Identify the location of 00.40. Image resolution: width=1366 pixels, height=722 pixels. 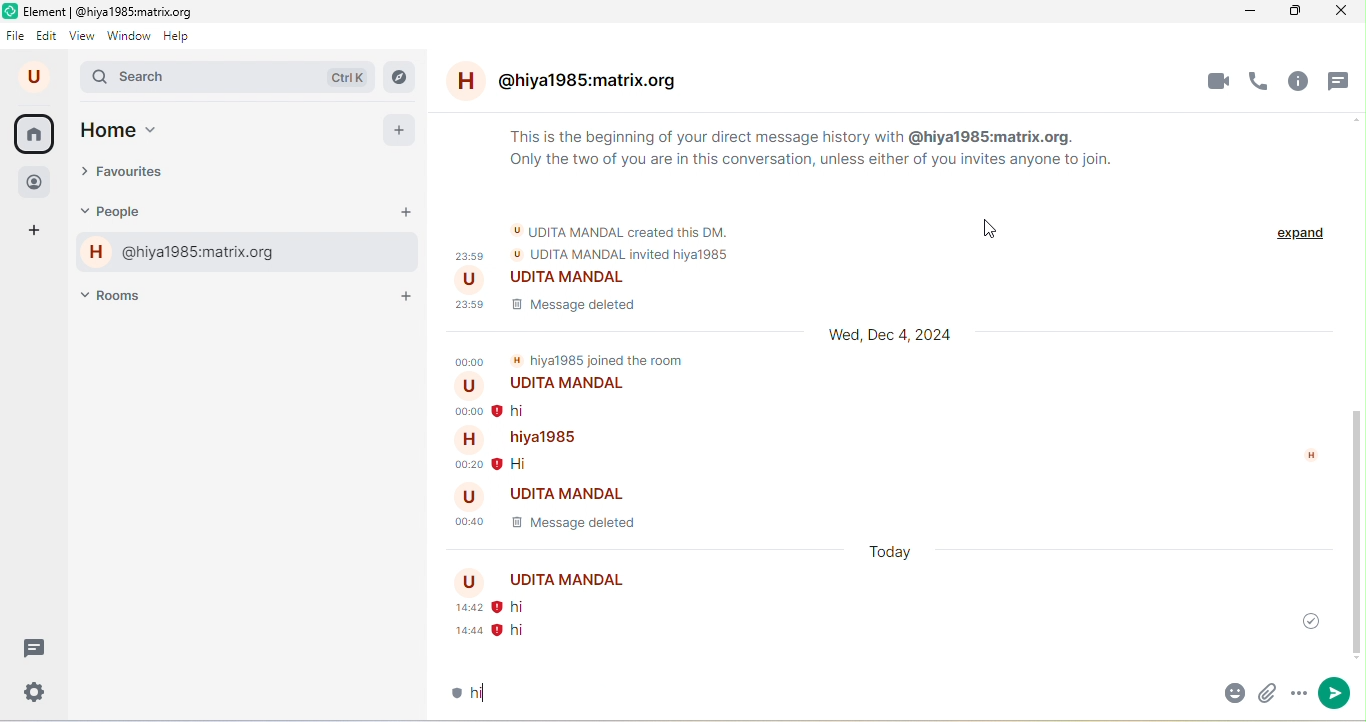
(465, 523).